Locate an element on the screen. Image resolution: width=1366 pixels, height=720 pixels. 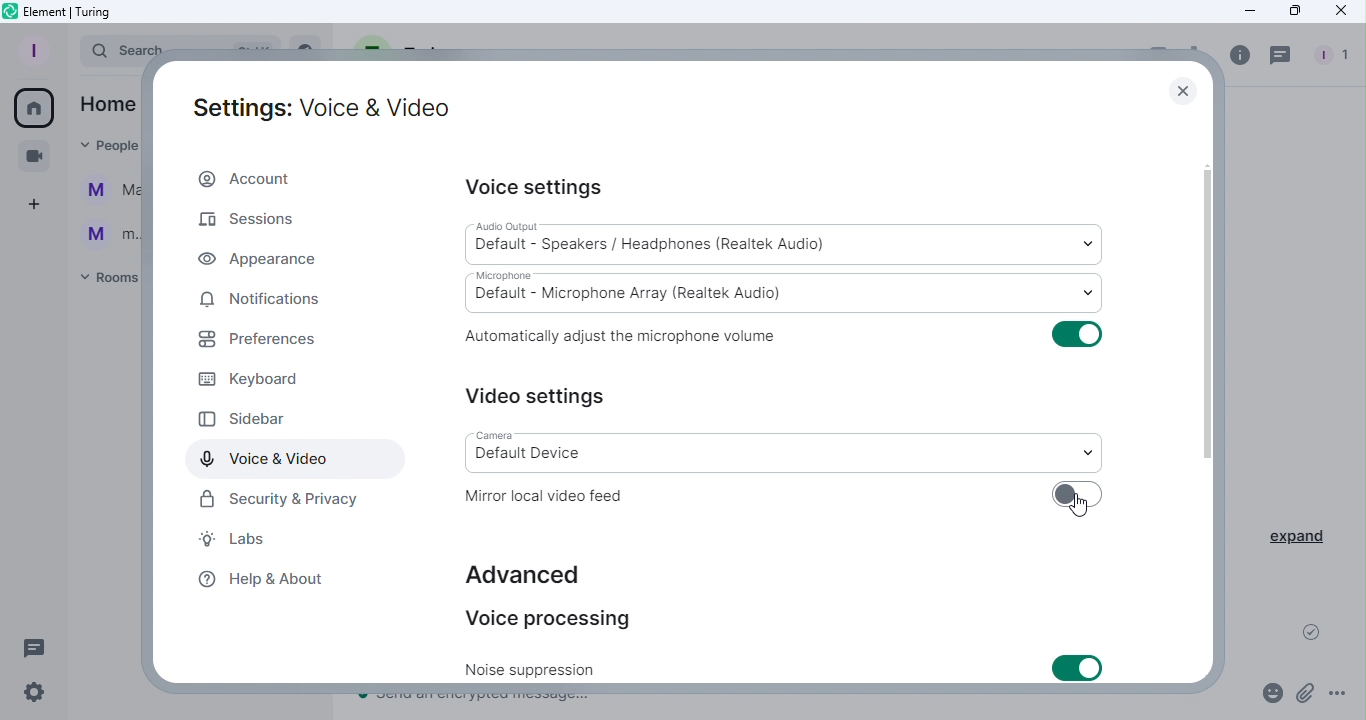
Labs is located at coordinates (229, 540).